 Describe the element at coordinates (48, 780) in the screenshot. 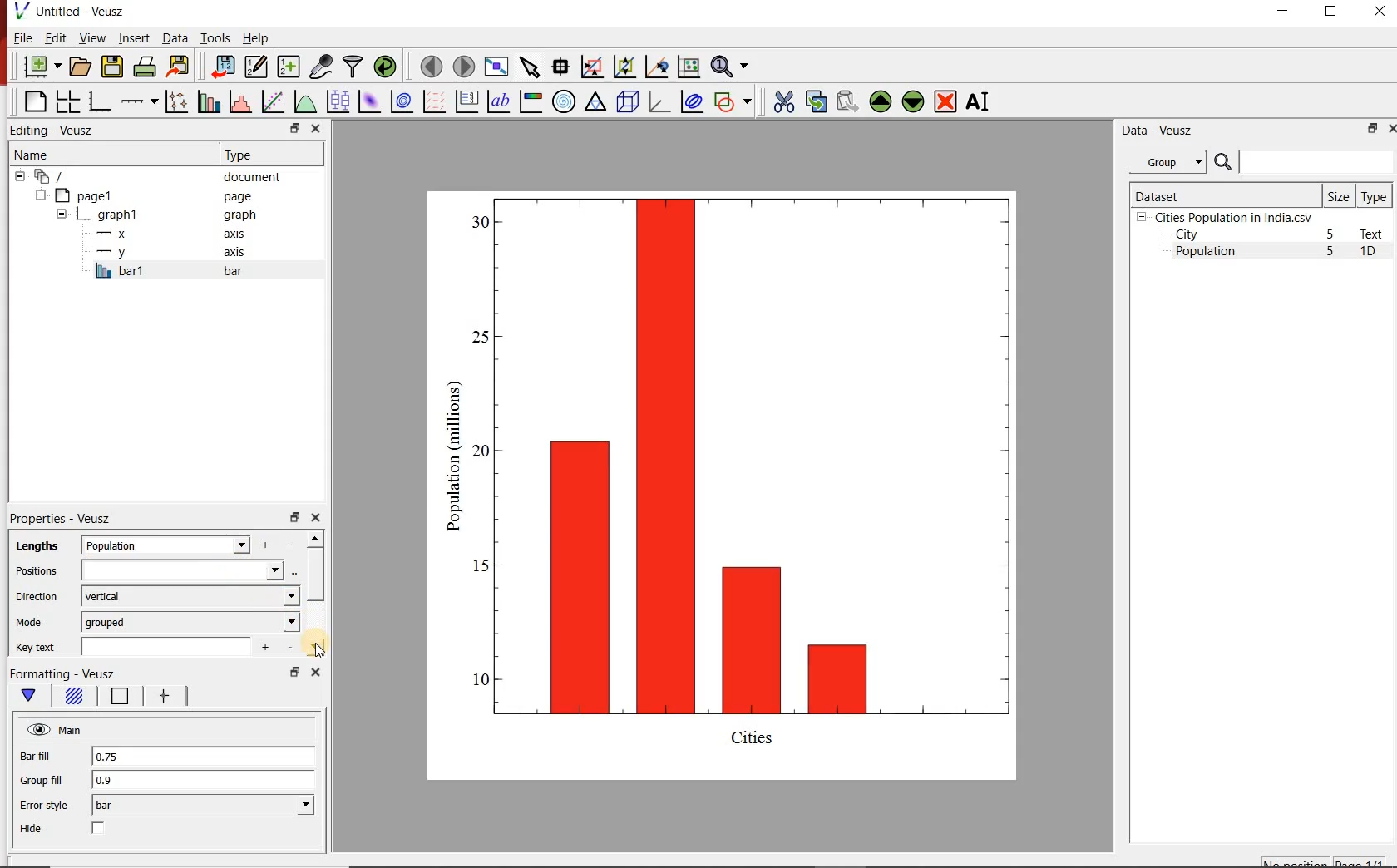

I see `Group fill` at that location.